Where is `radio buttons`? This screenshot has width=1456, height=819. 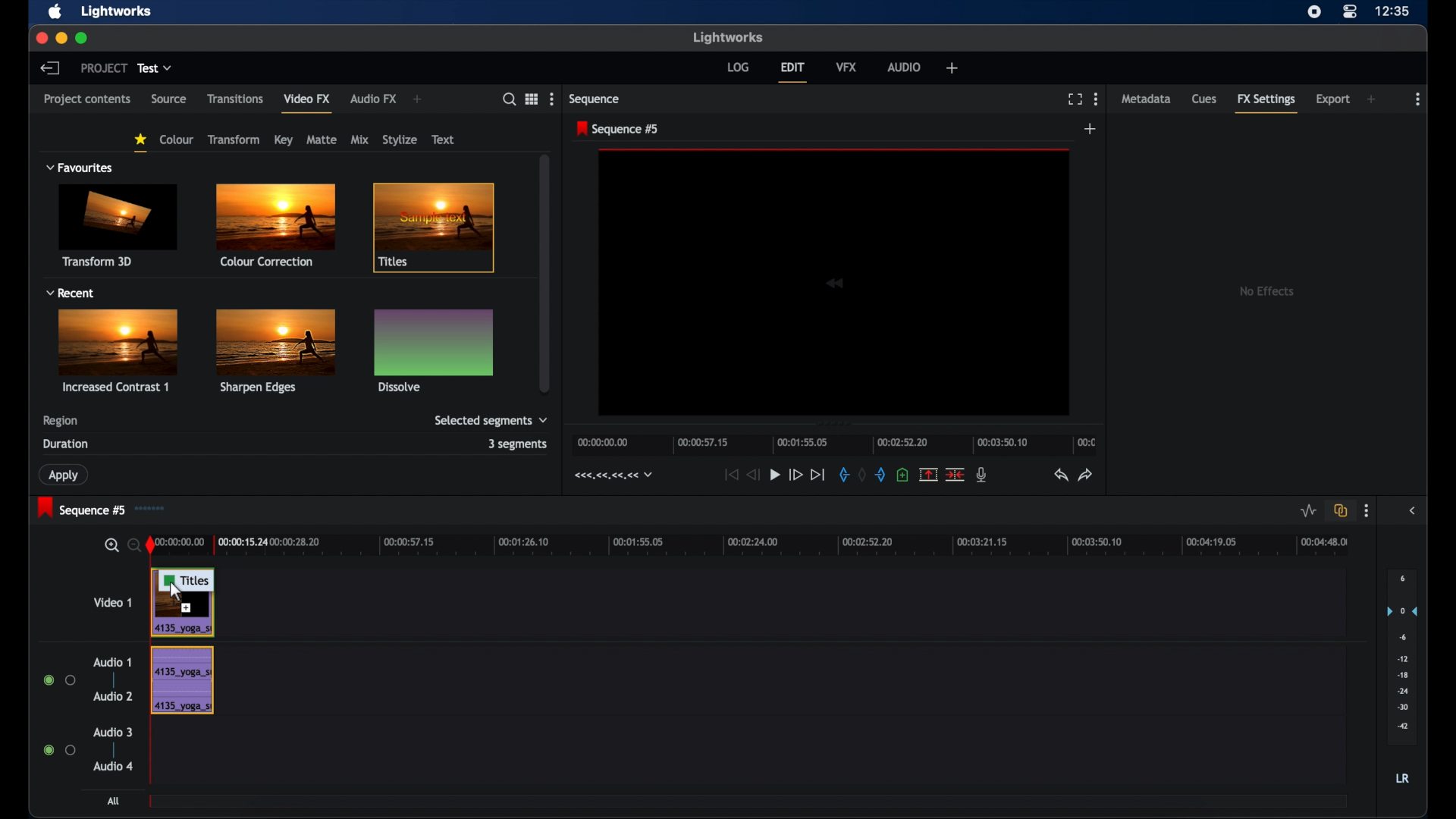
radio buttons is located at coordinates (60, 680).